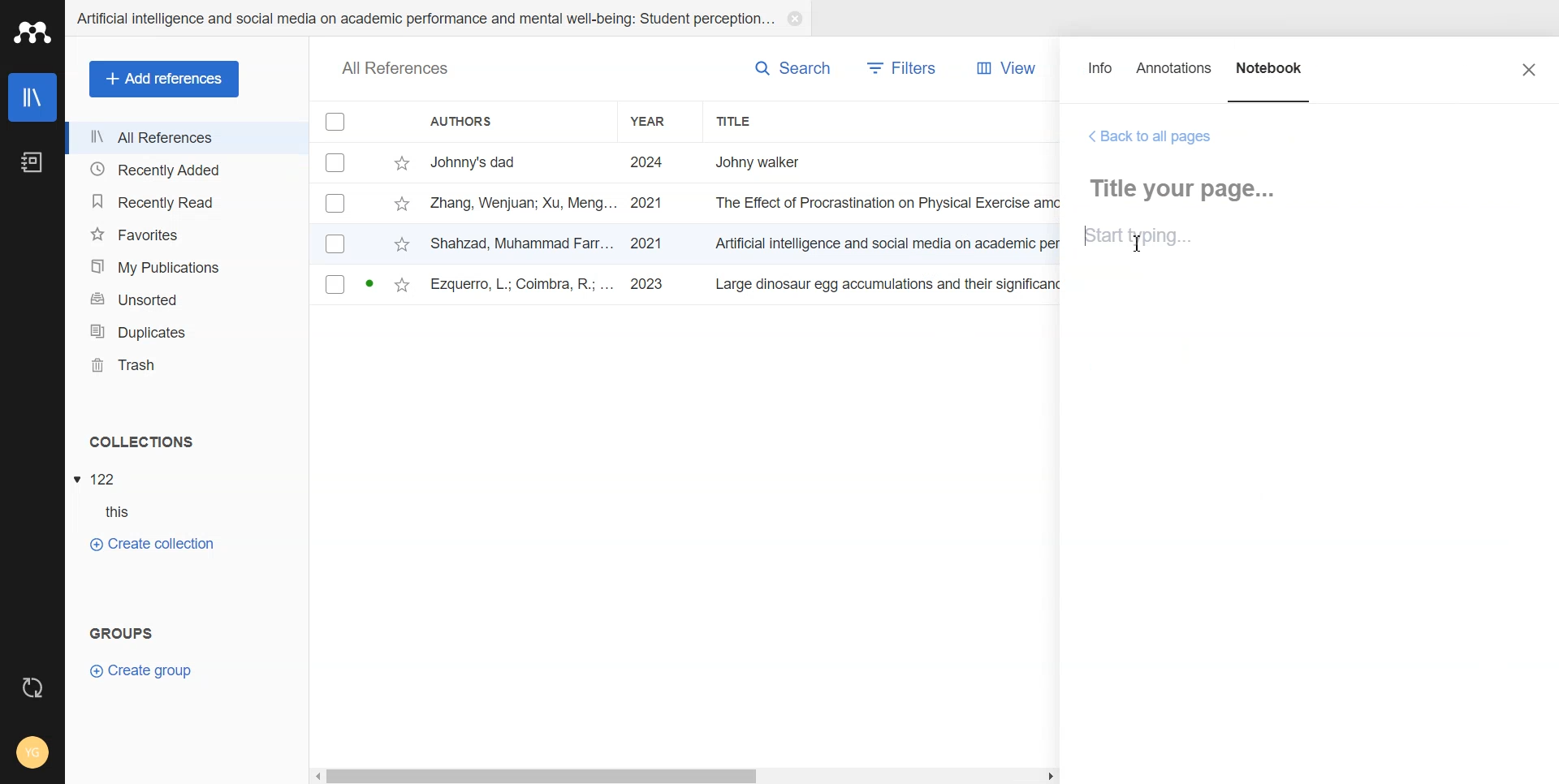  Describe the element at coordinates (889, 203) in the screenshot. I see `the effect of procrastination on physical exercise amo` at that location.